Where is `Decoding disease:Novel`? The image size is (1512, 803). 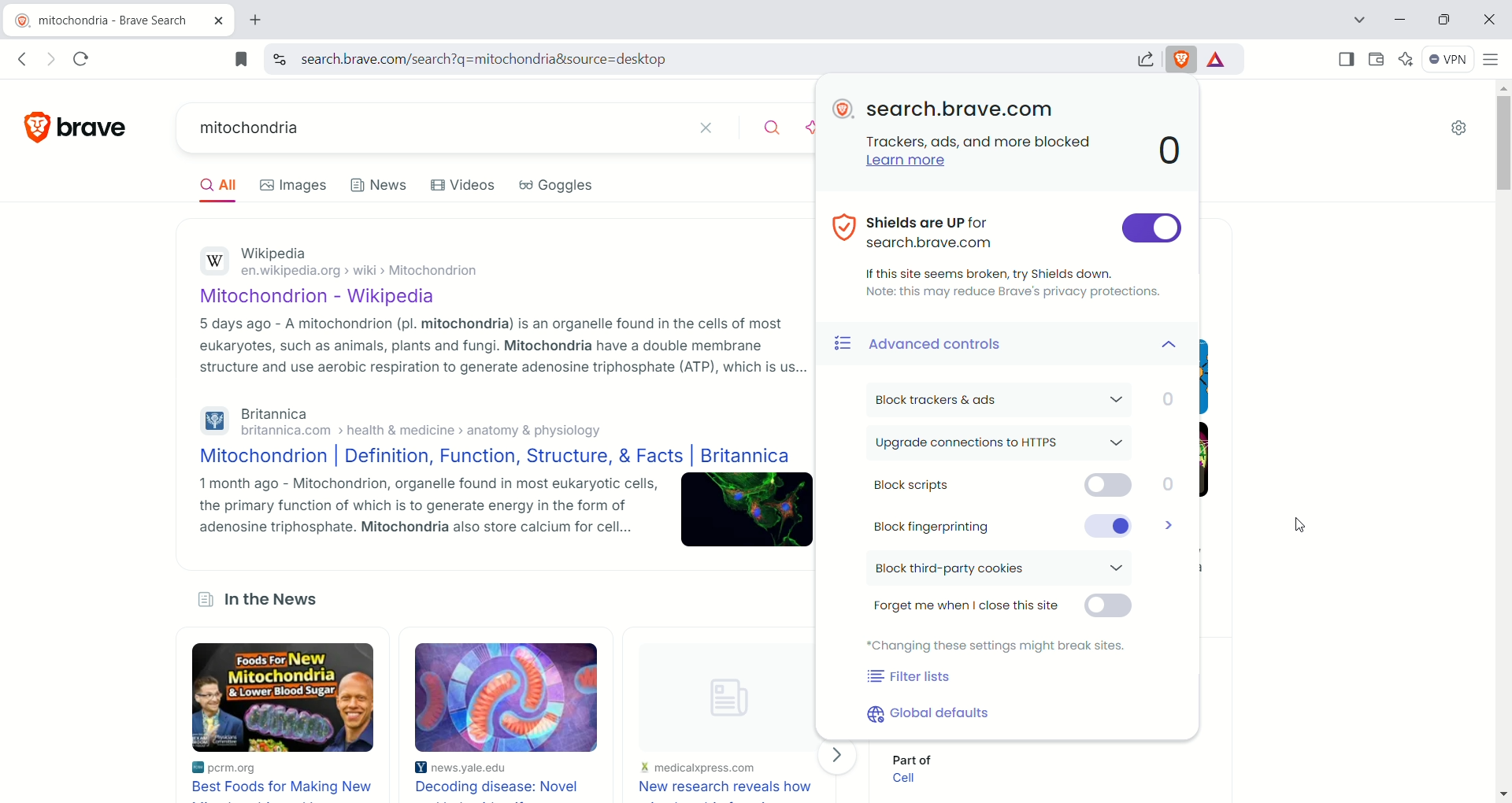
Decoding disease:Novel is located at coordinates (502, 786).